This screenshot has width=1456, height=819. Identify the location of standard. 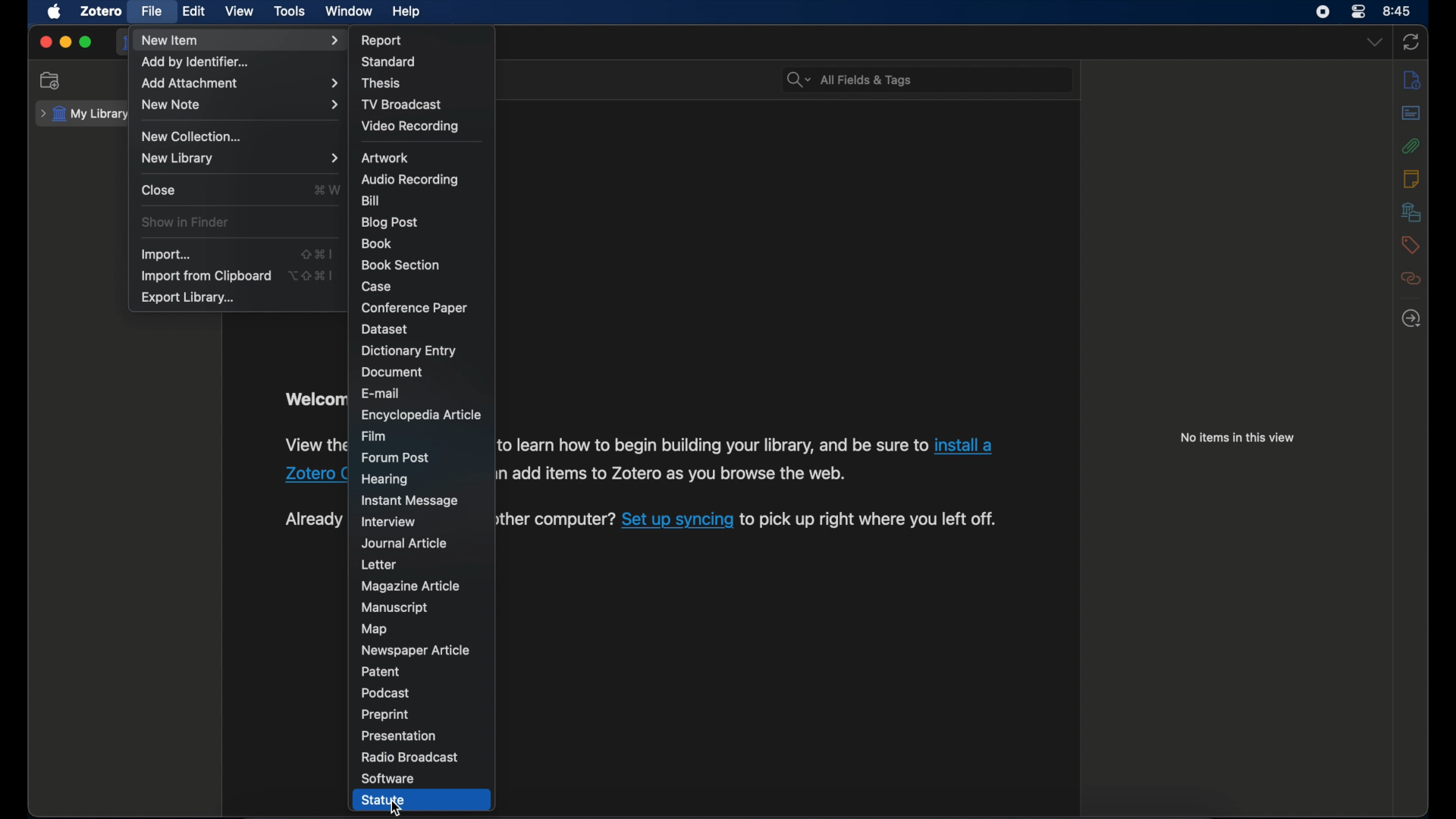
(392, 61).